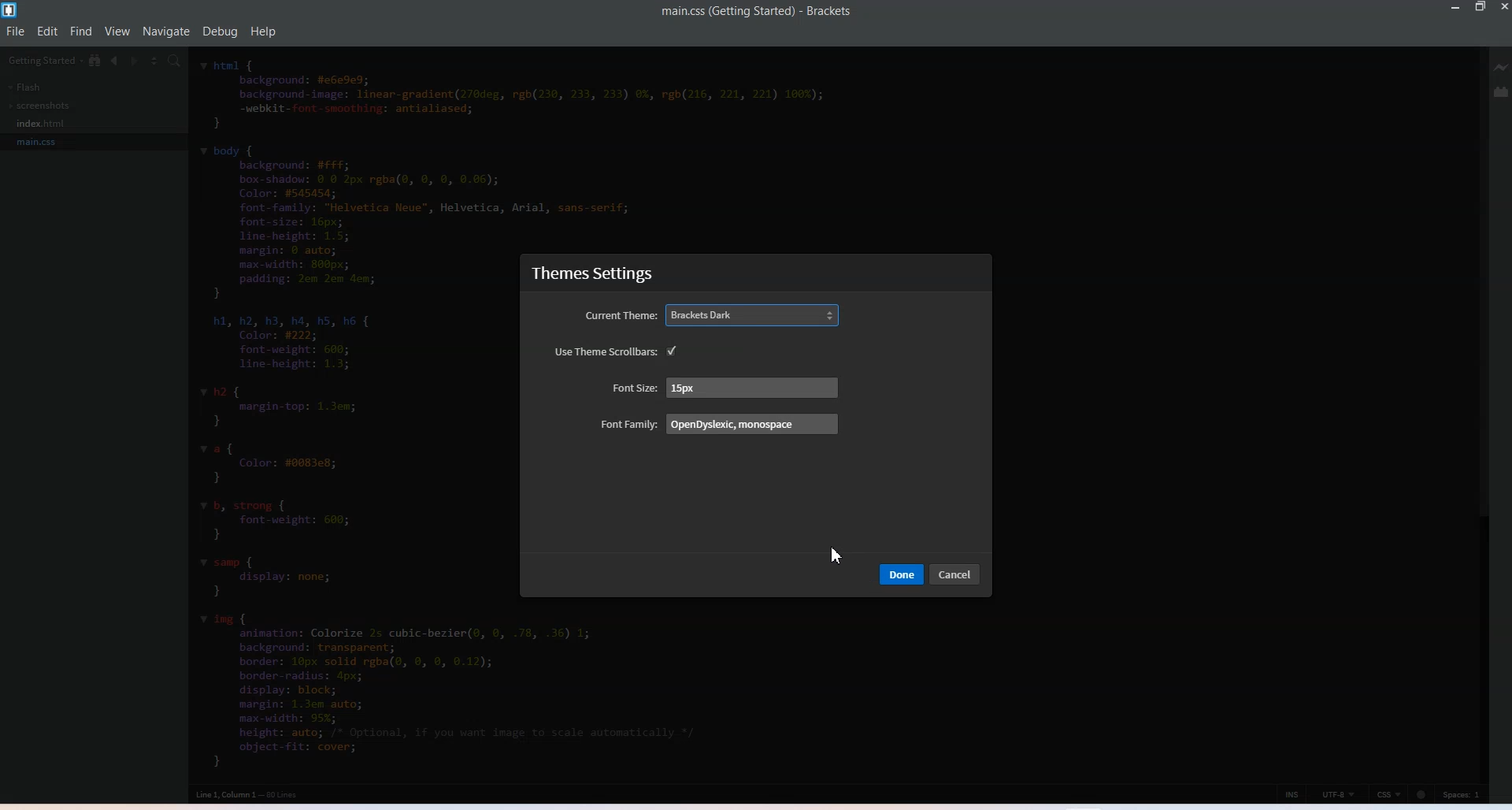 Image resolution: width=1512 pixels, height=810 pixels. What do you see at coordinates (1292, 793) in the screenshot?
I see `INS` at bounding box center [1292, 793].